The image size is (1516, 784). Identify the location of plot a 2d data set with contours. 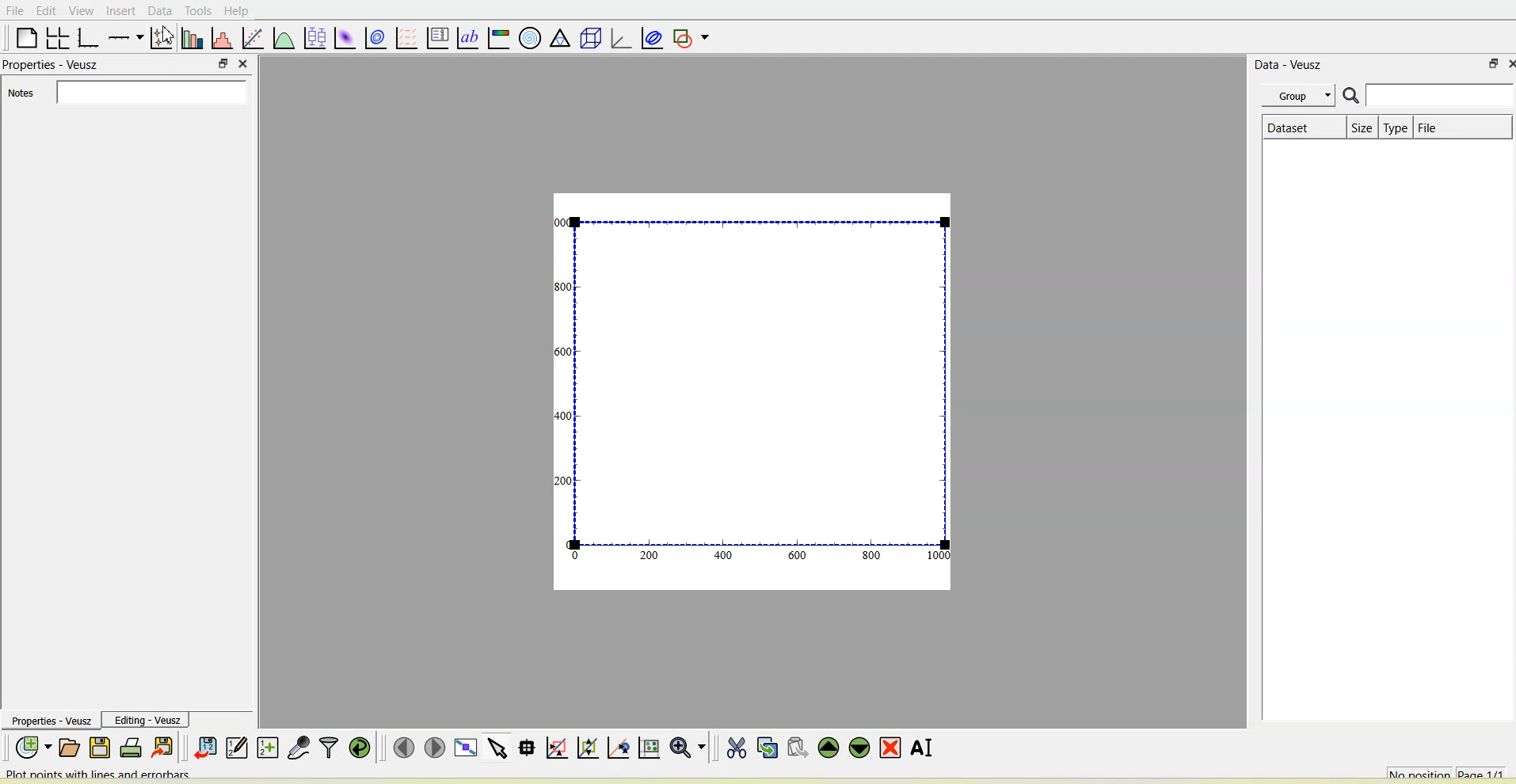
(375, 38).